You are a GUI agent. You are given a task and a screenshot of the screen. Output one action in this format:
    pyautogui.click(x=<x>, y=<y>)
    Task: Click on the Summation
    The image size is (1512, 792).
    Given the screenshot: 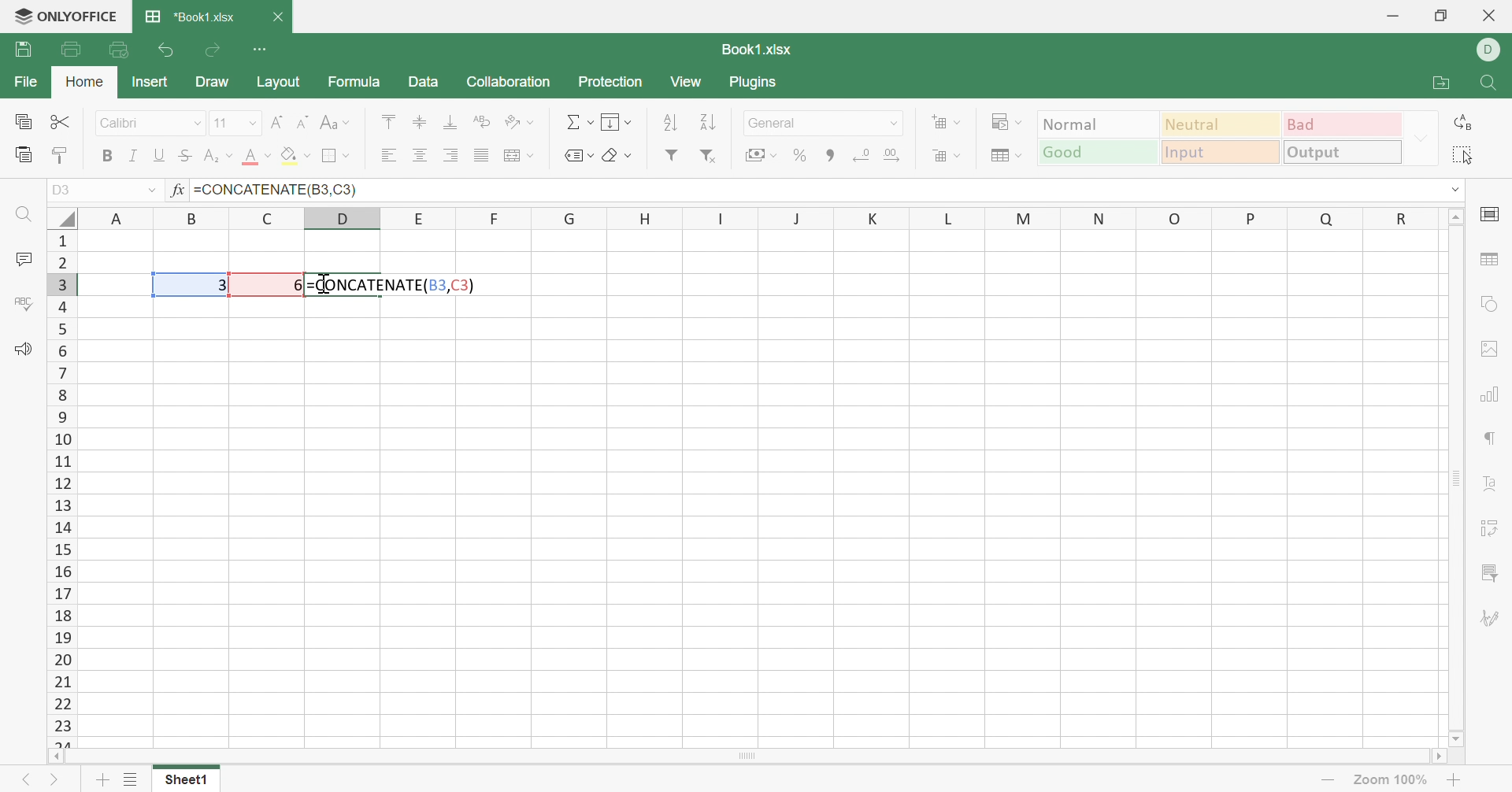 What is the action you would take?
    pyautogui.click(x=579, y=121)
    